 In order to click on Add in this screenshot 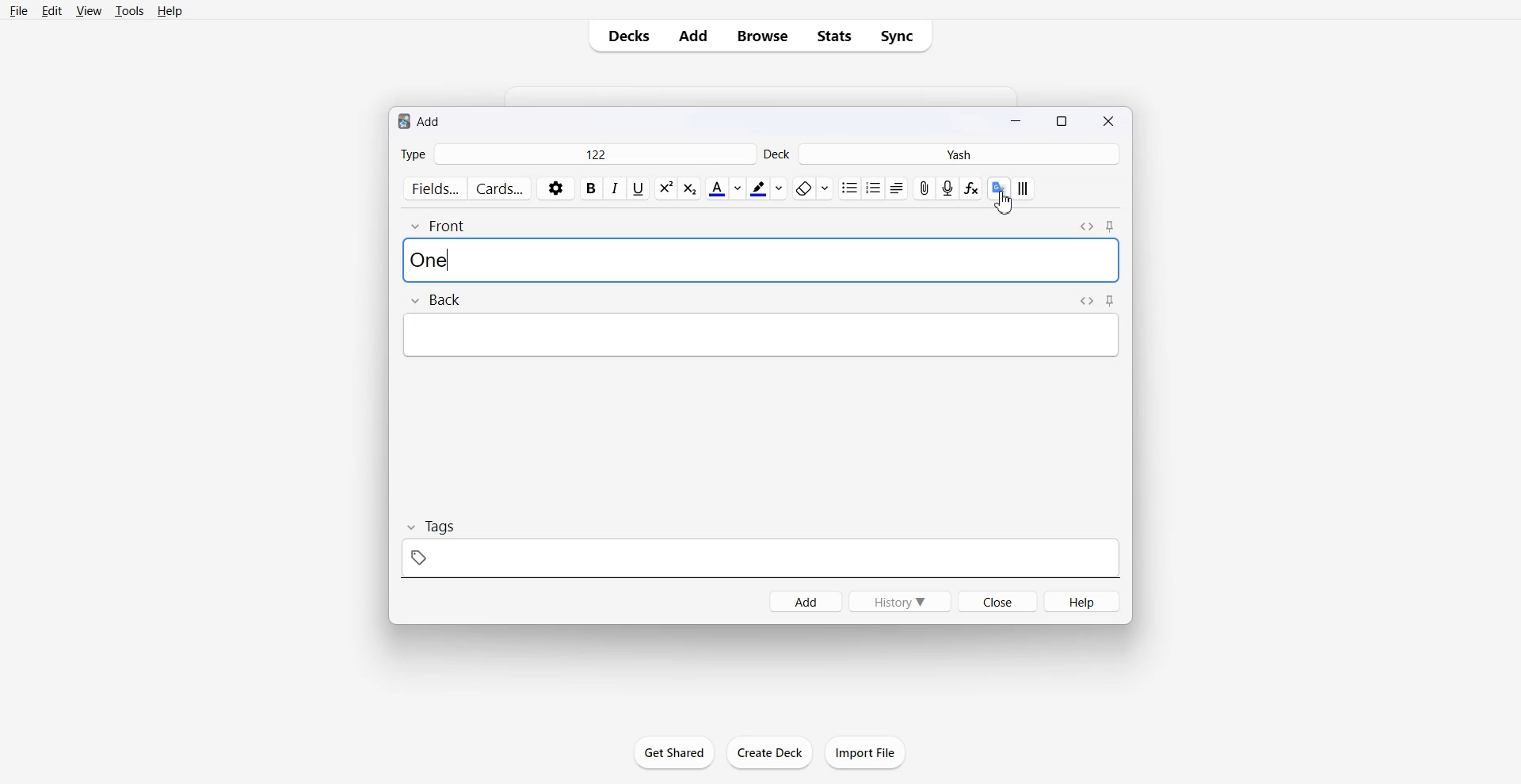, I will do `click(805, 601)`.